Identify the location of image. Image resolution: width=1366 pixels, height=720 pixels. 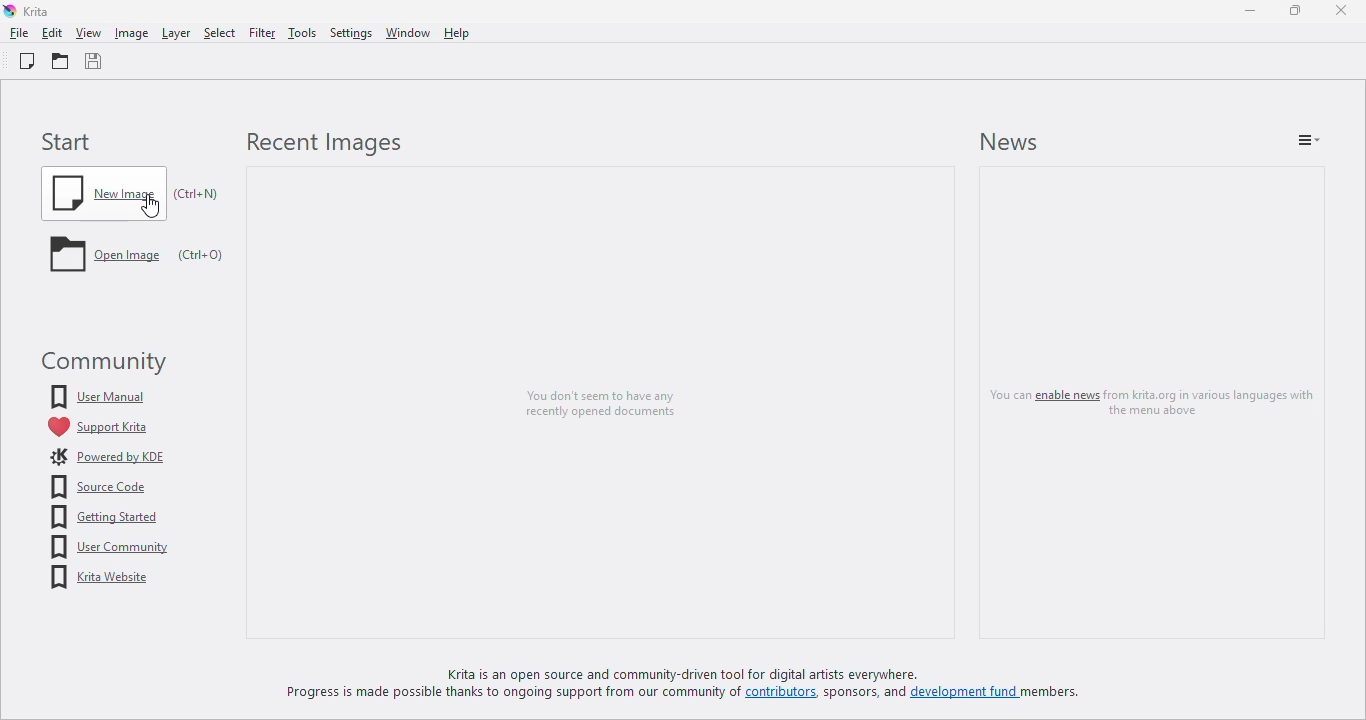
(131, 33).